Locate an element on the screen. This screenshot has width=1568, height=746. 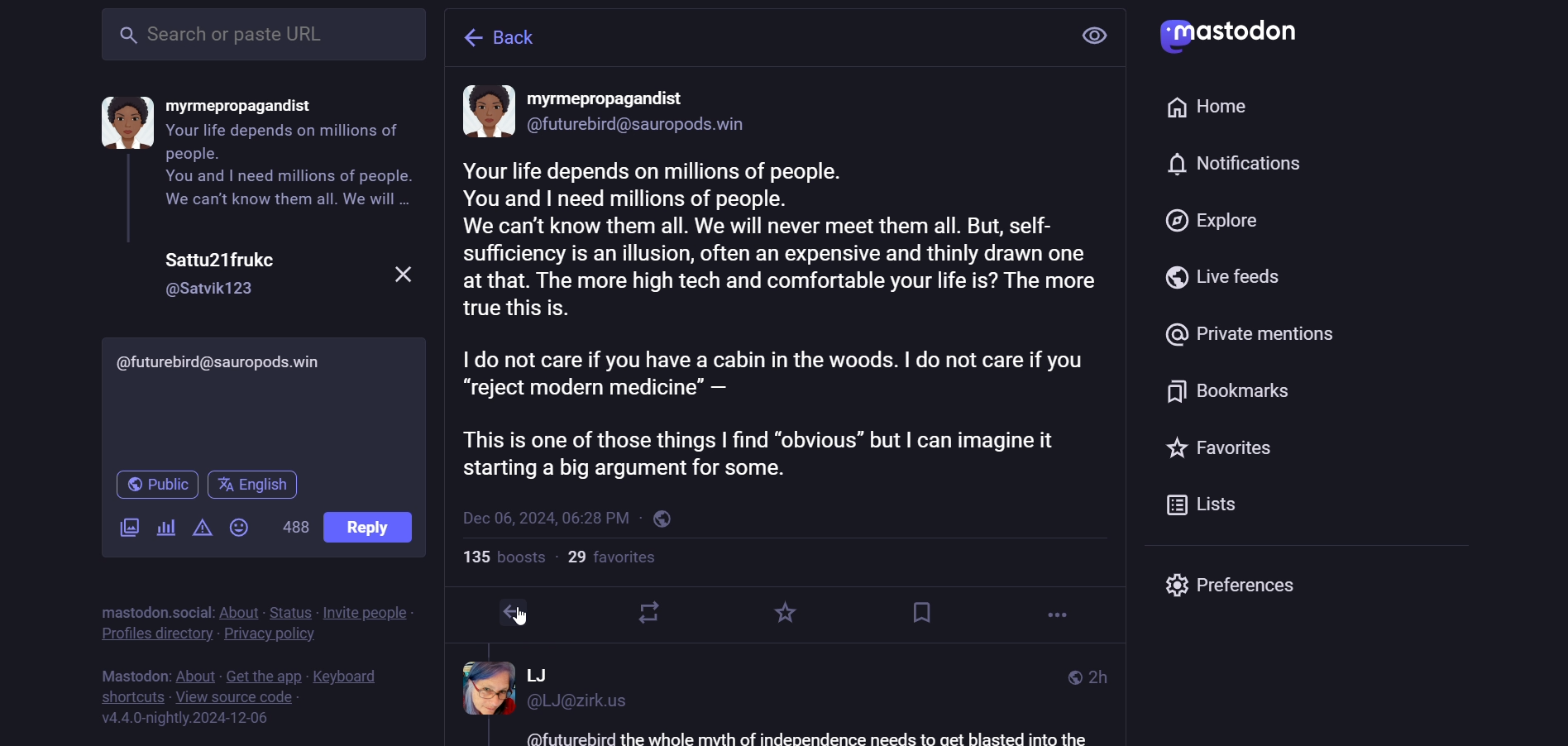
short is located at coordinates (131, 696).